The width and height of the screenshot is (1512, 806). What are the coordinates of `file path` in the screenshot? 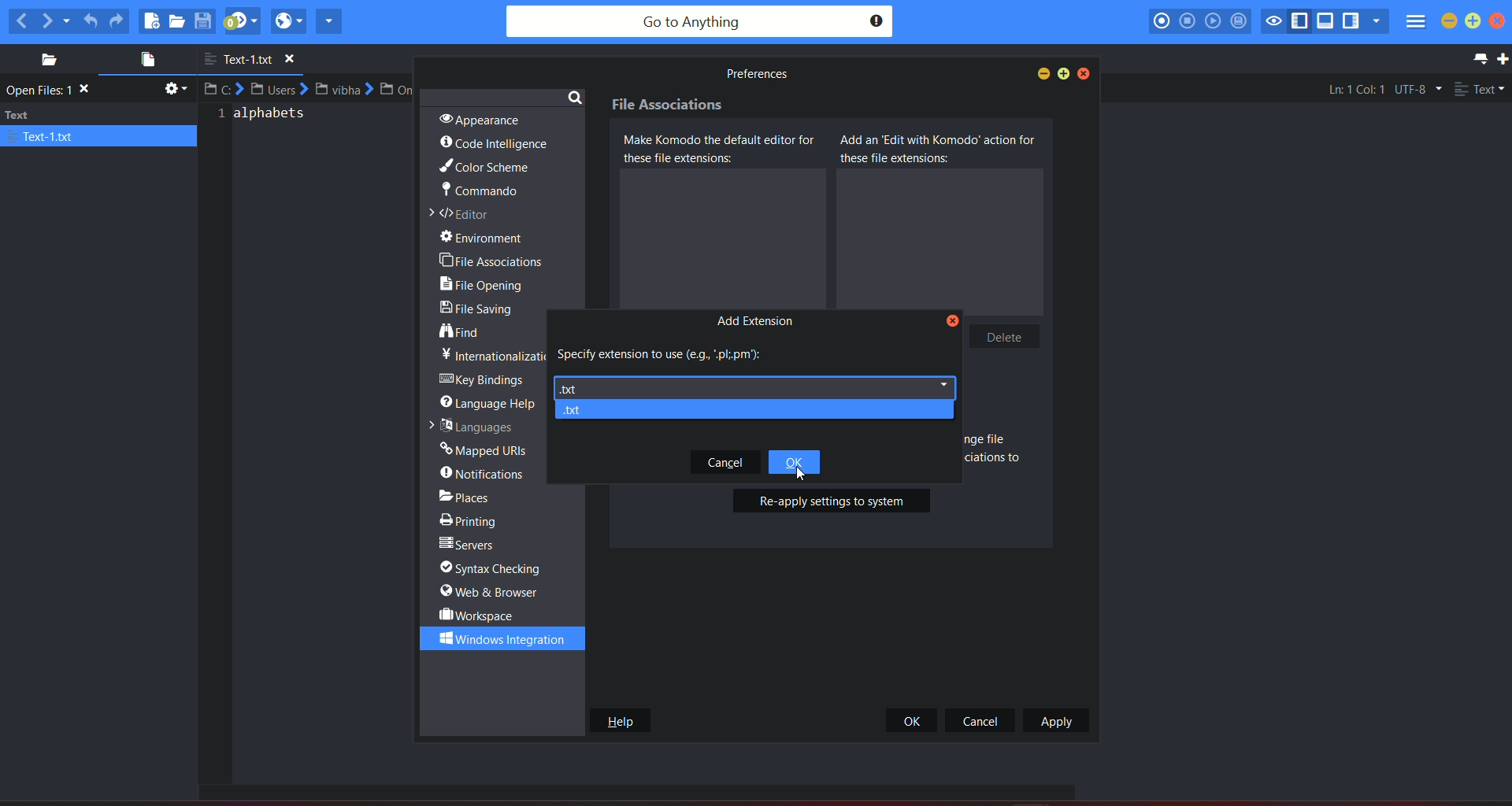 It's located at (311, 89).